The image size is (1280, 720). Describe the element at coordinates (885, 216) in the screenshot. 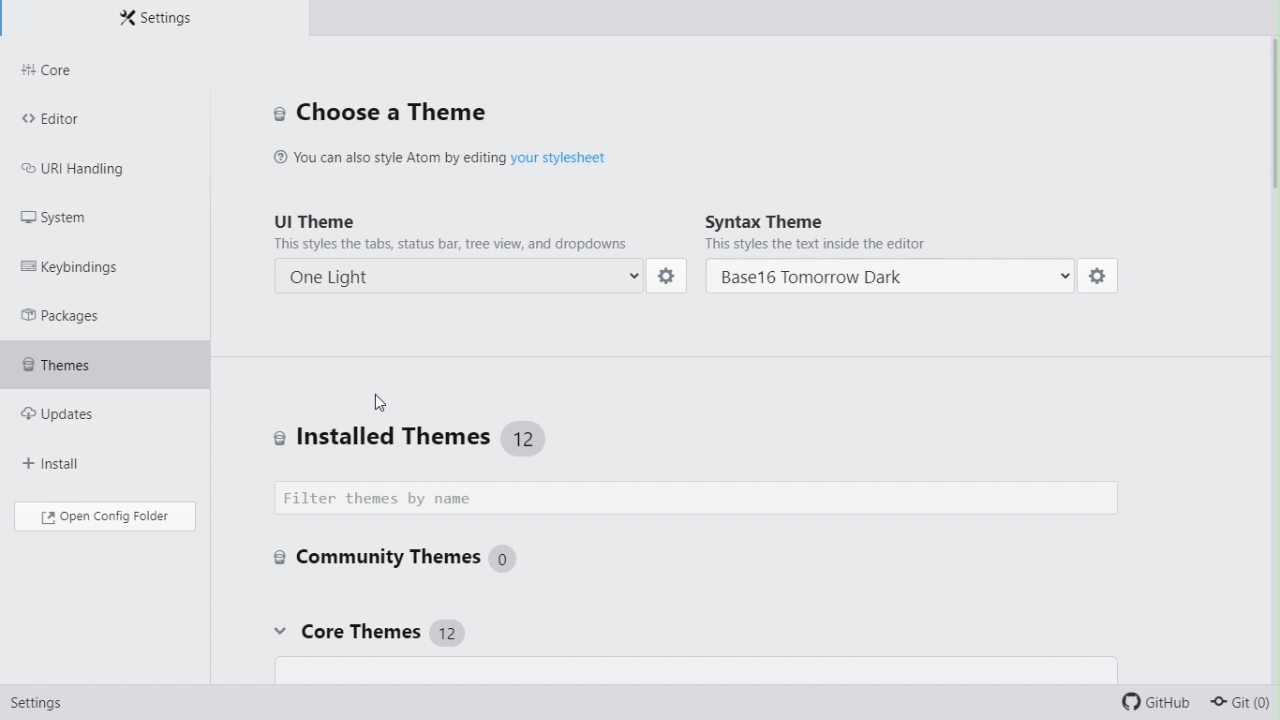

I see `Syntax theme` at that location.